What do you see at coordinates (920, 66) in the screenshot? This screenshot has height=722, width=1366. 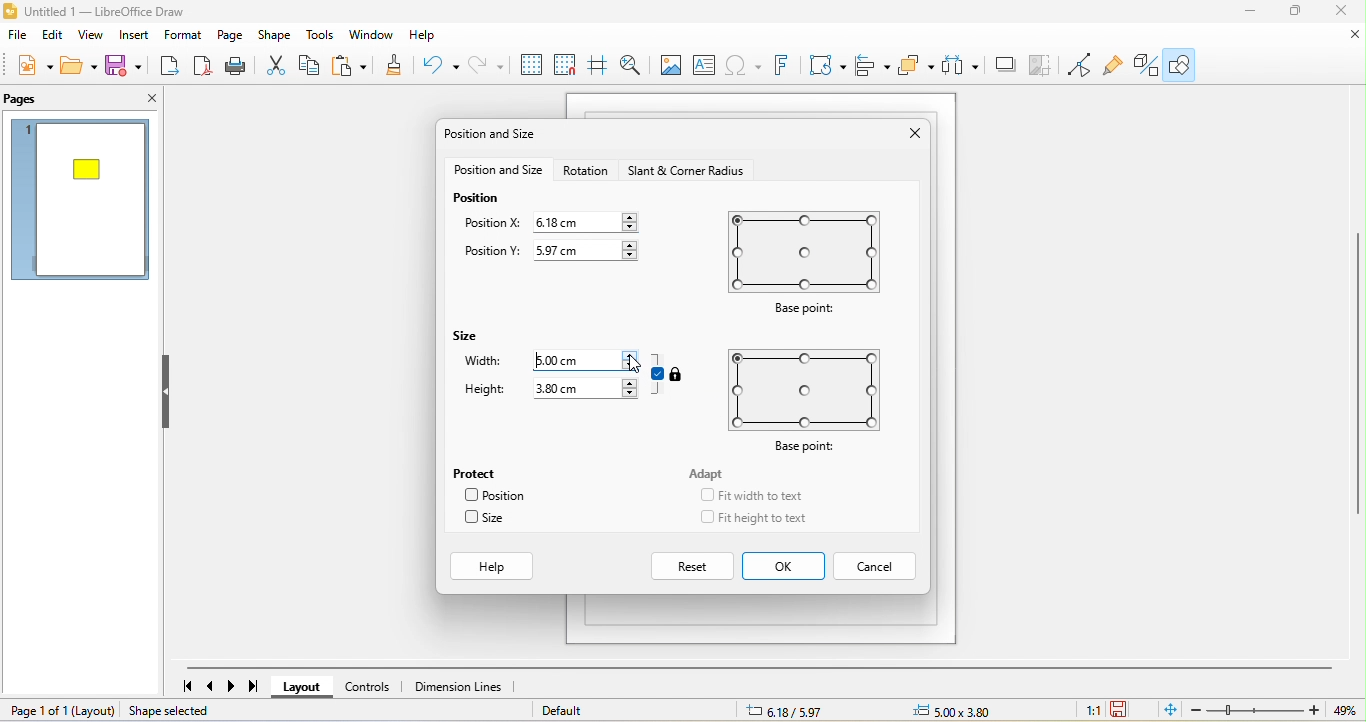 I see `arrange` at bounding box center [920, 66].